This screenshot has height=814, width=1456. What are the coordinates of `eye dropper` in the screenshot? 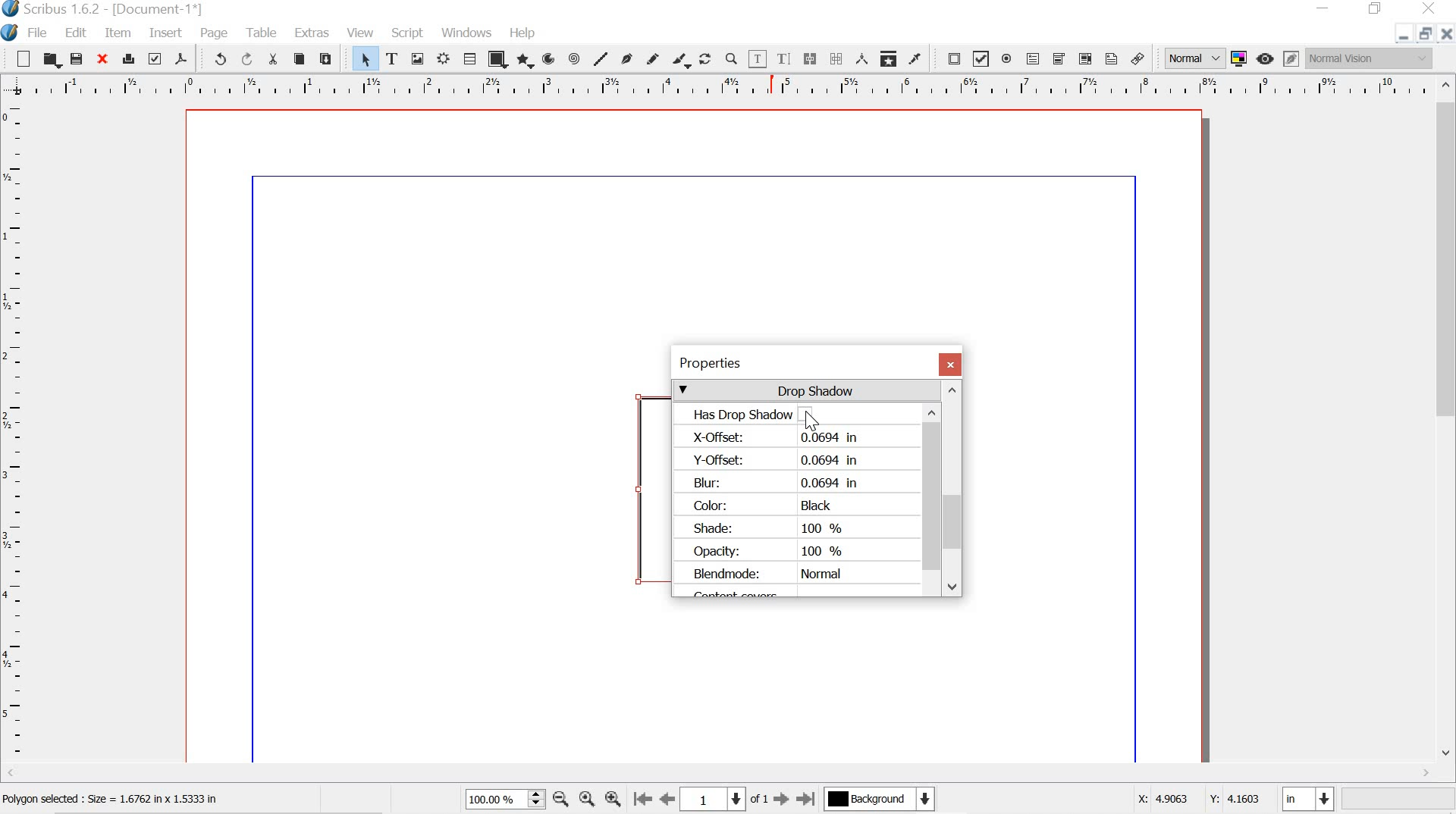 It's located at (915, 59).